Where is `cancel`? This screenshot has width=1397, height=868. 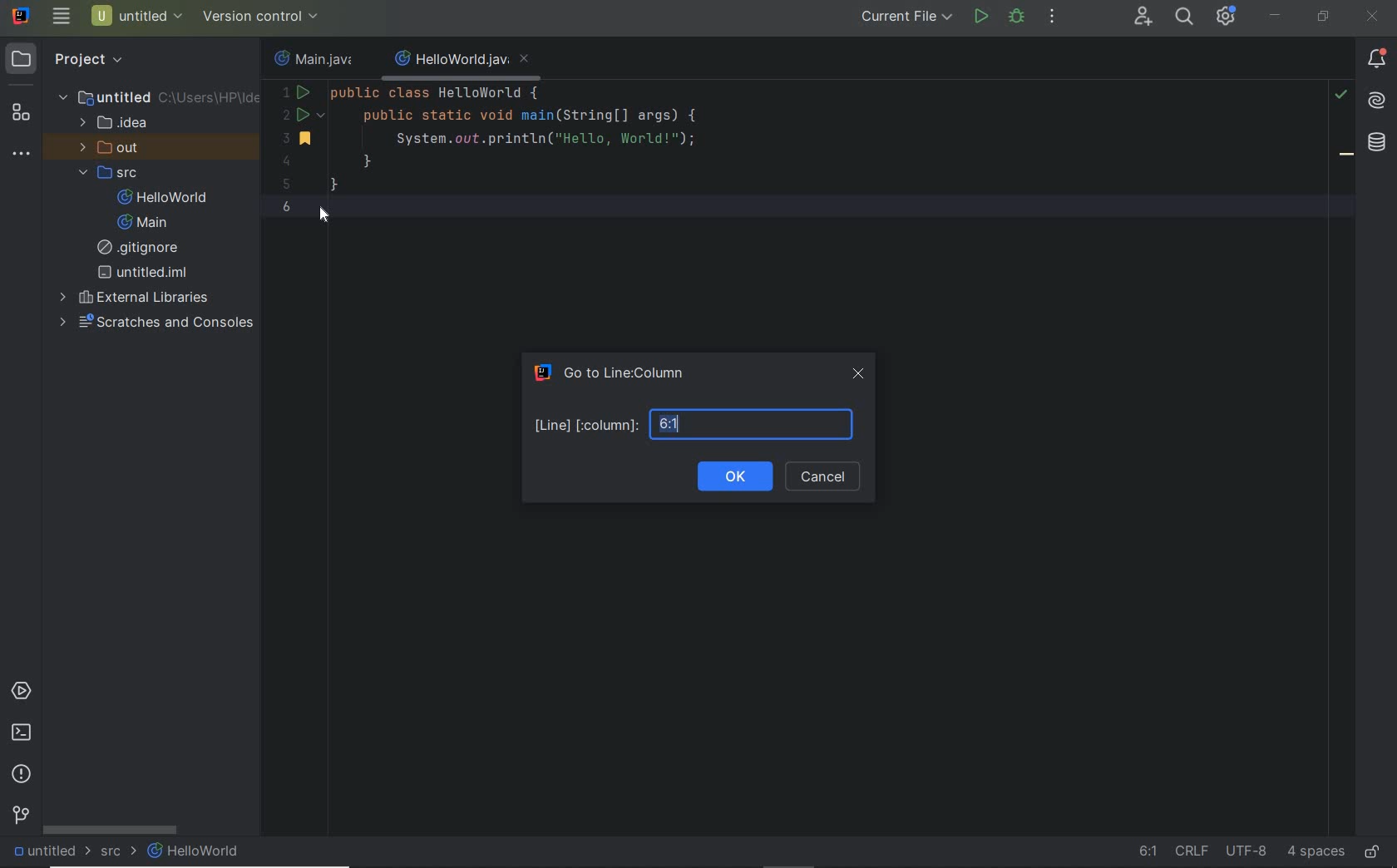 cancel is located at coordinates (825, 476).